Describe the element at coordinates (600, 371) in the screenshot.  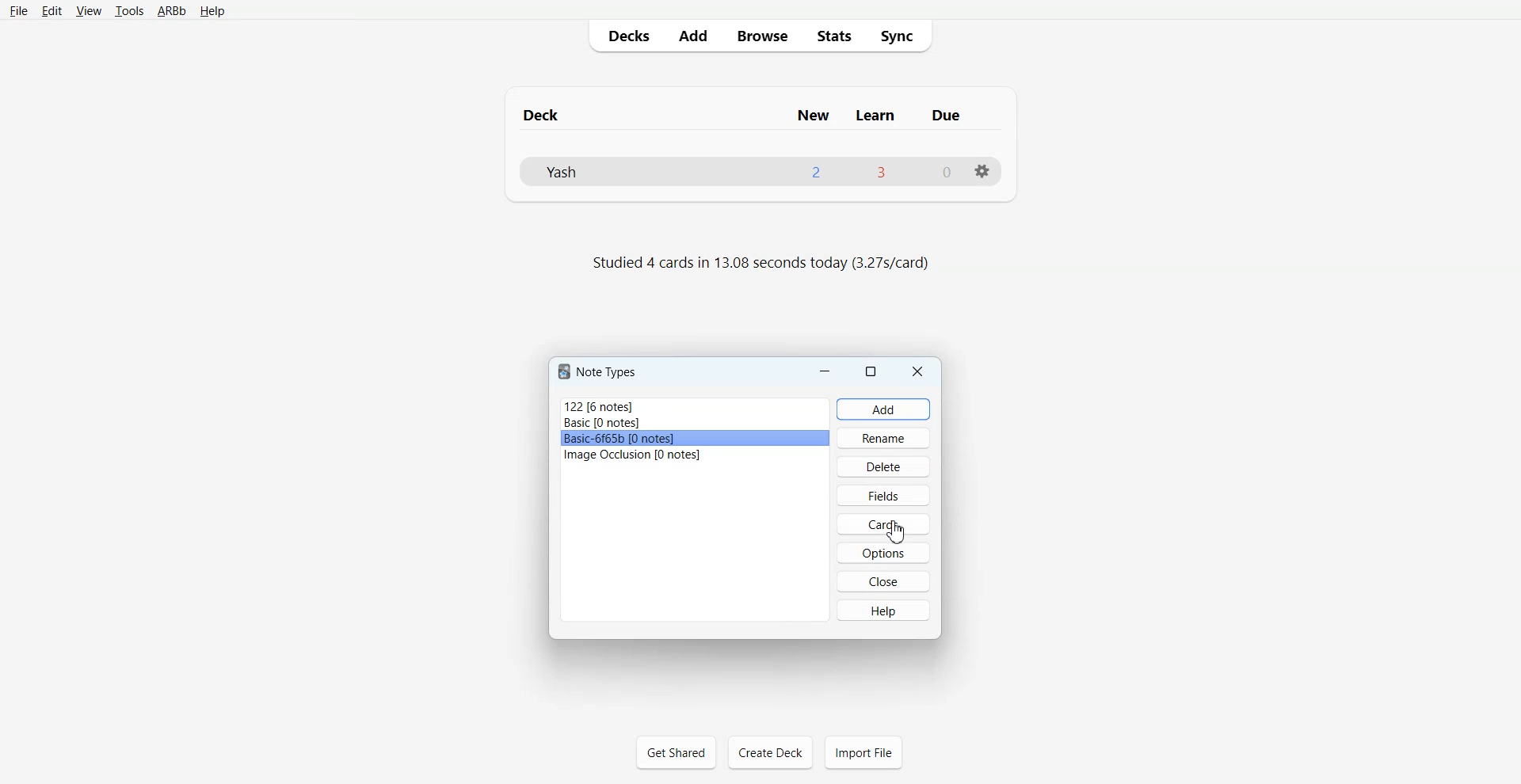
I see `Text` at that location.